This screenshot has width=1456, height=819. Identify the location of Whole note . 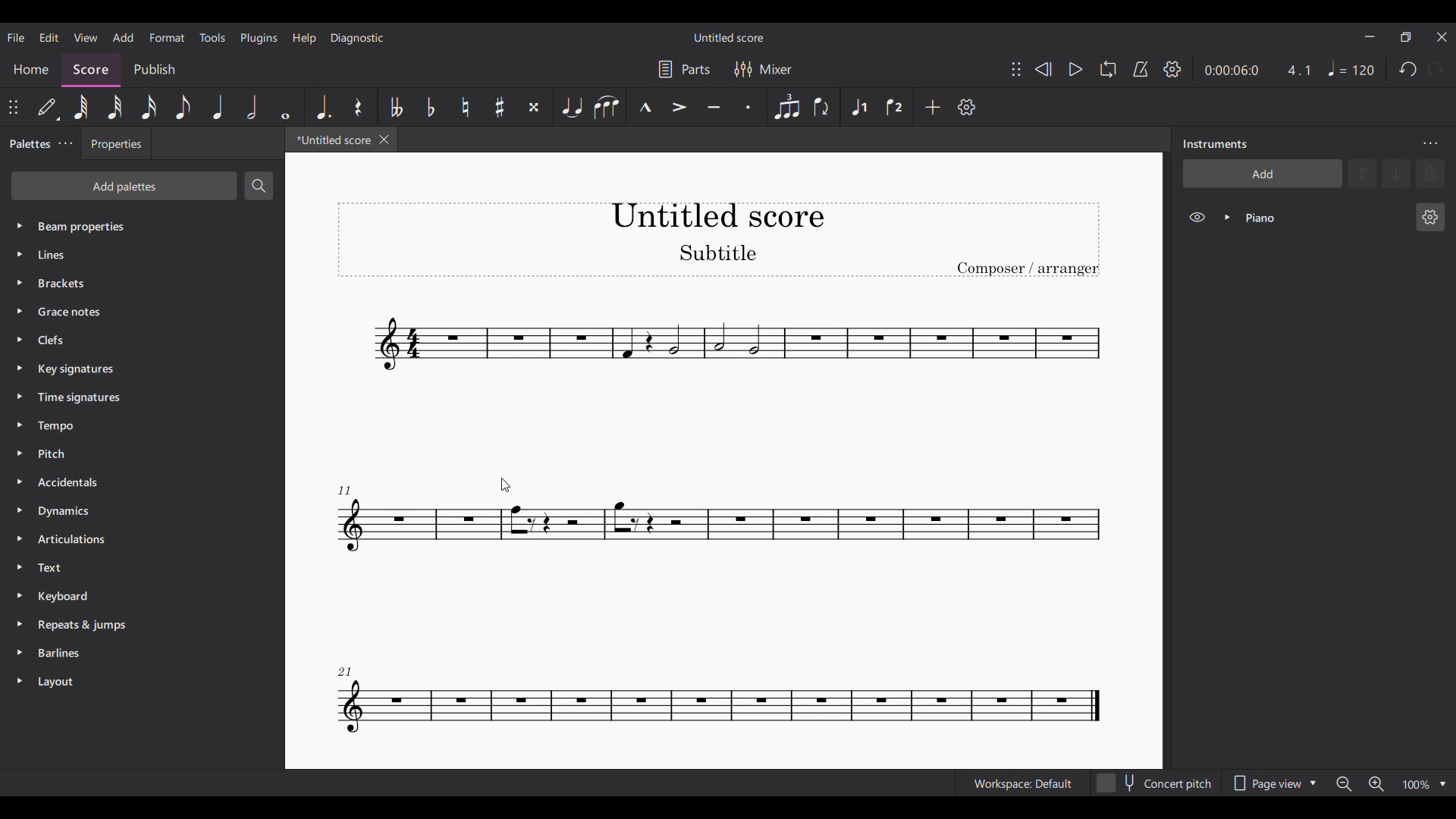
(285, 106).